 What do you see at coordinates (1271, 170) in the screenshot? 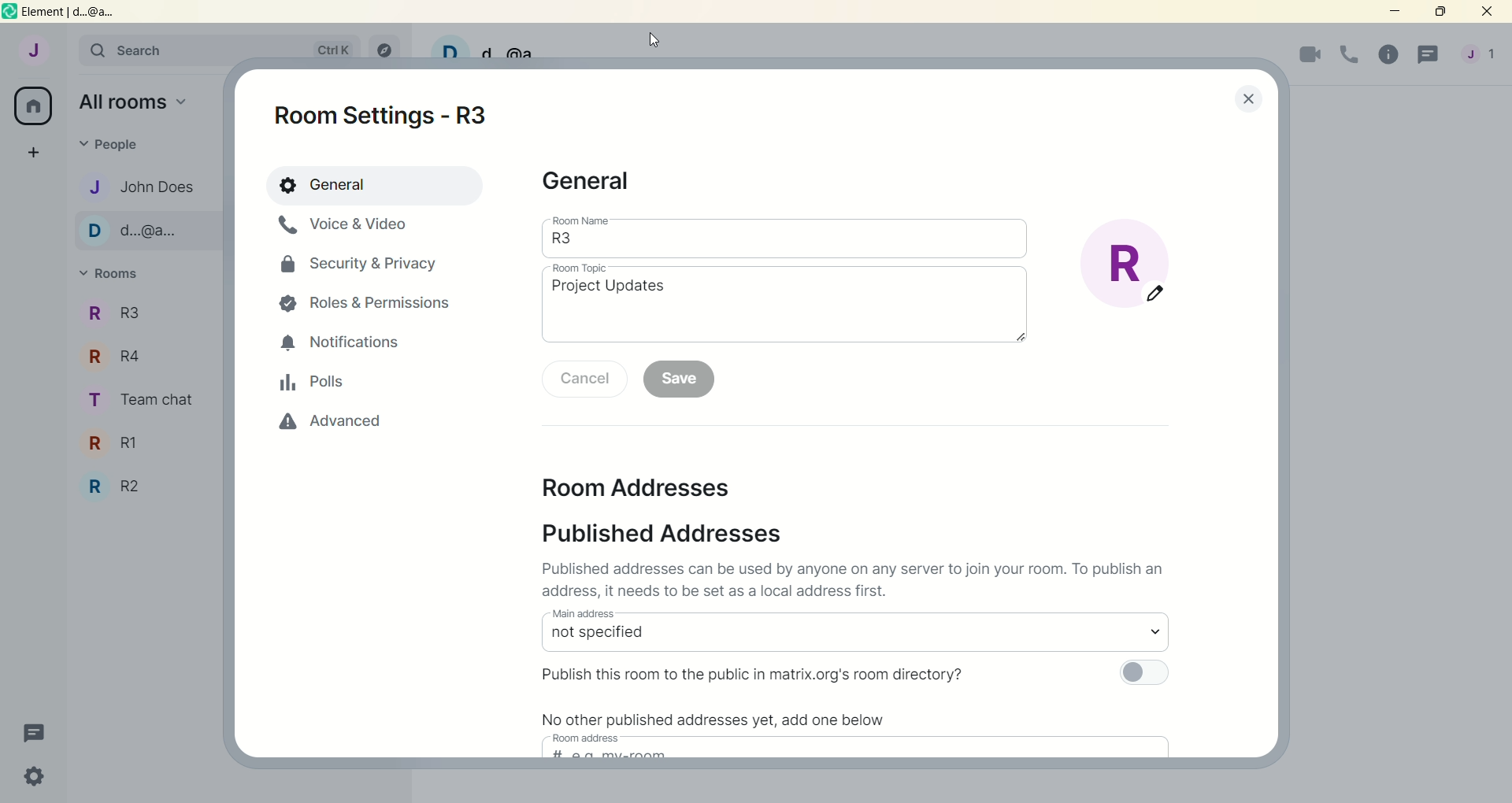
I see `scroll up` at bounding box center [1271, 170].